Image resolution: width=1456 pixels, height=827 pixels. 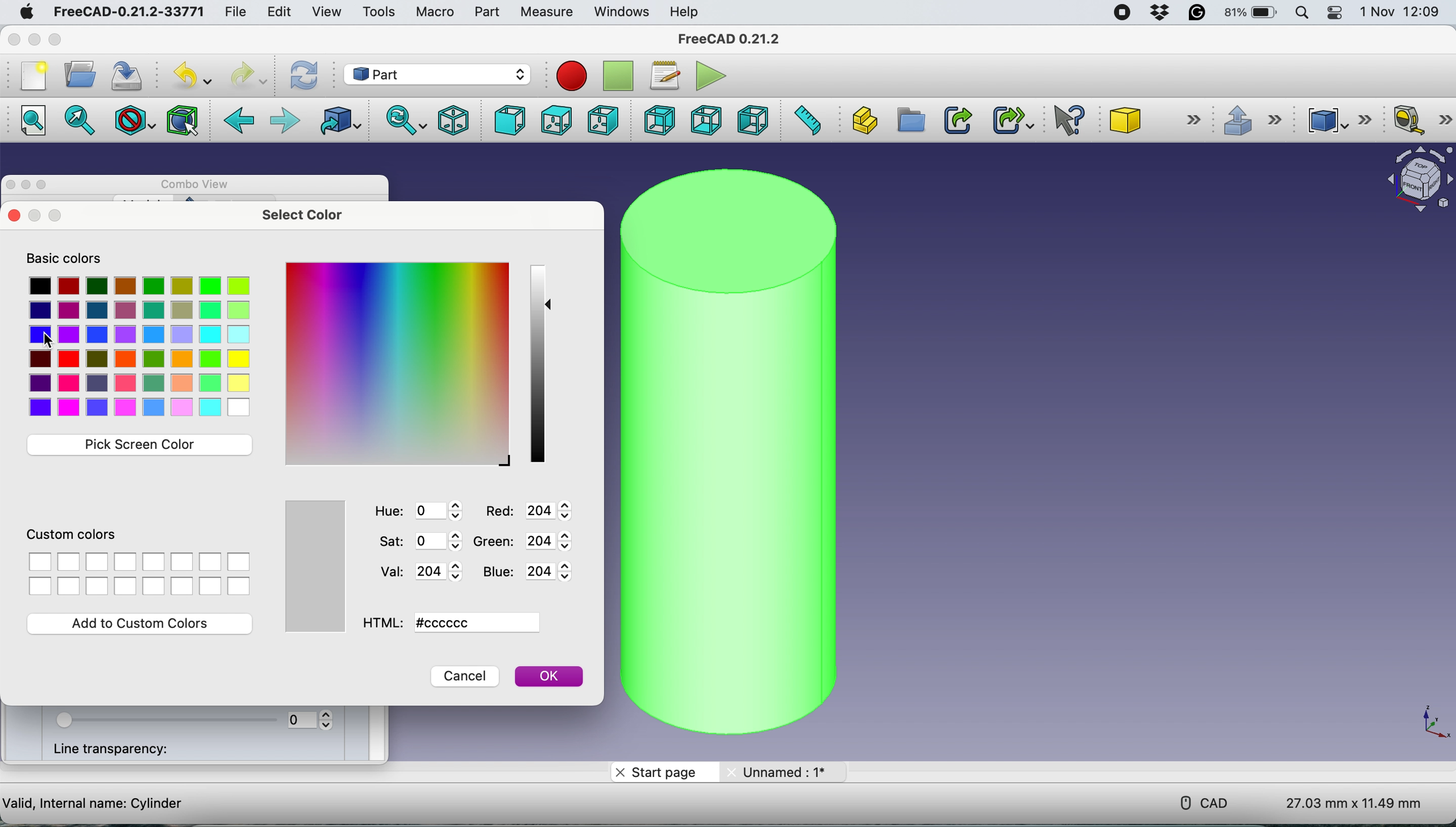 I want to click on battery, so click(x=1251, y=14).